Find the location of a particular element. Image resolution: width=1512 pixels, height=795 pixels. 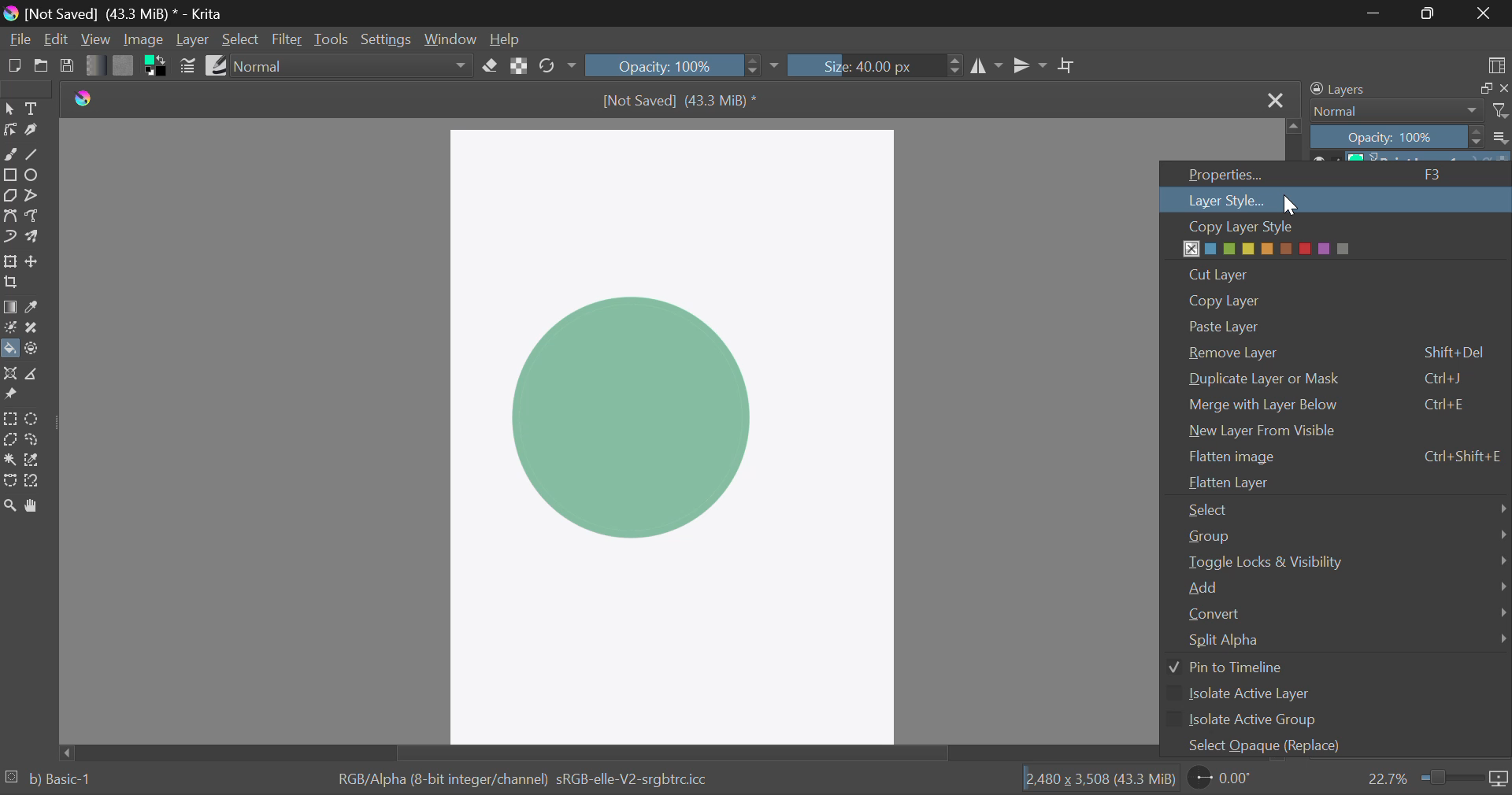

Select Opaque is located at coordinates (1254, 749).